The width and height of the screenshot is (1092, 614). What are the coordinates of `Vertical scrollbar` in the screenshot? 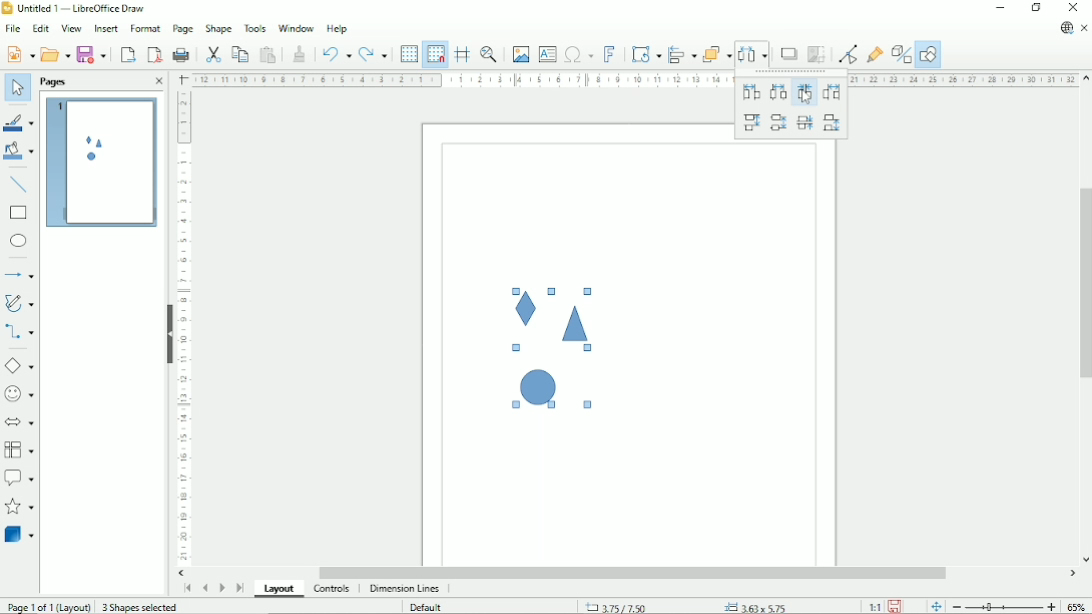 It's located at (1083, 282).